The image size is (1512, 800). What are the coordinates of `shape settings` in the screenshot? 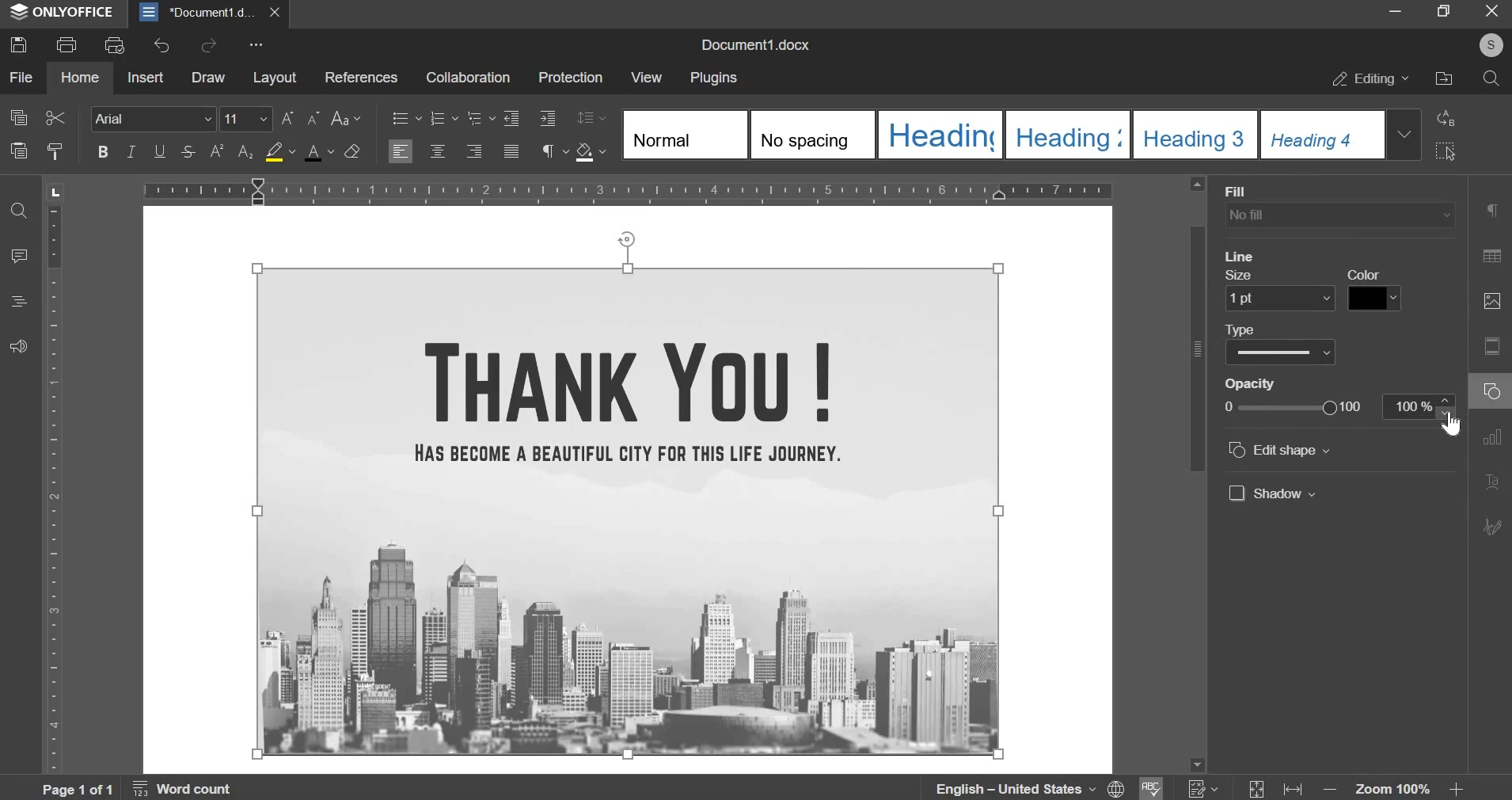 It's located at (1495, 390).